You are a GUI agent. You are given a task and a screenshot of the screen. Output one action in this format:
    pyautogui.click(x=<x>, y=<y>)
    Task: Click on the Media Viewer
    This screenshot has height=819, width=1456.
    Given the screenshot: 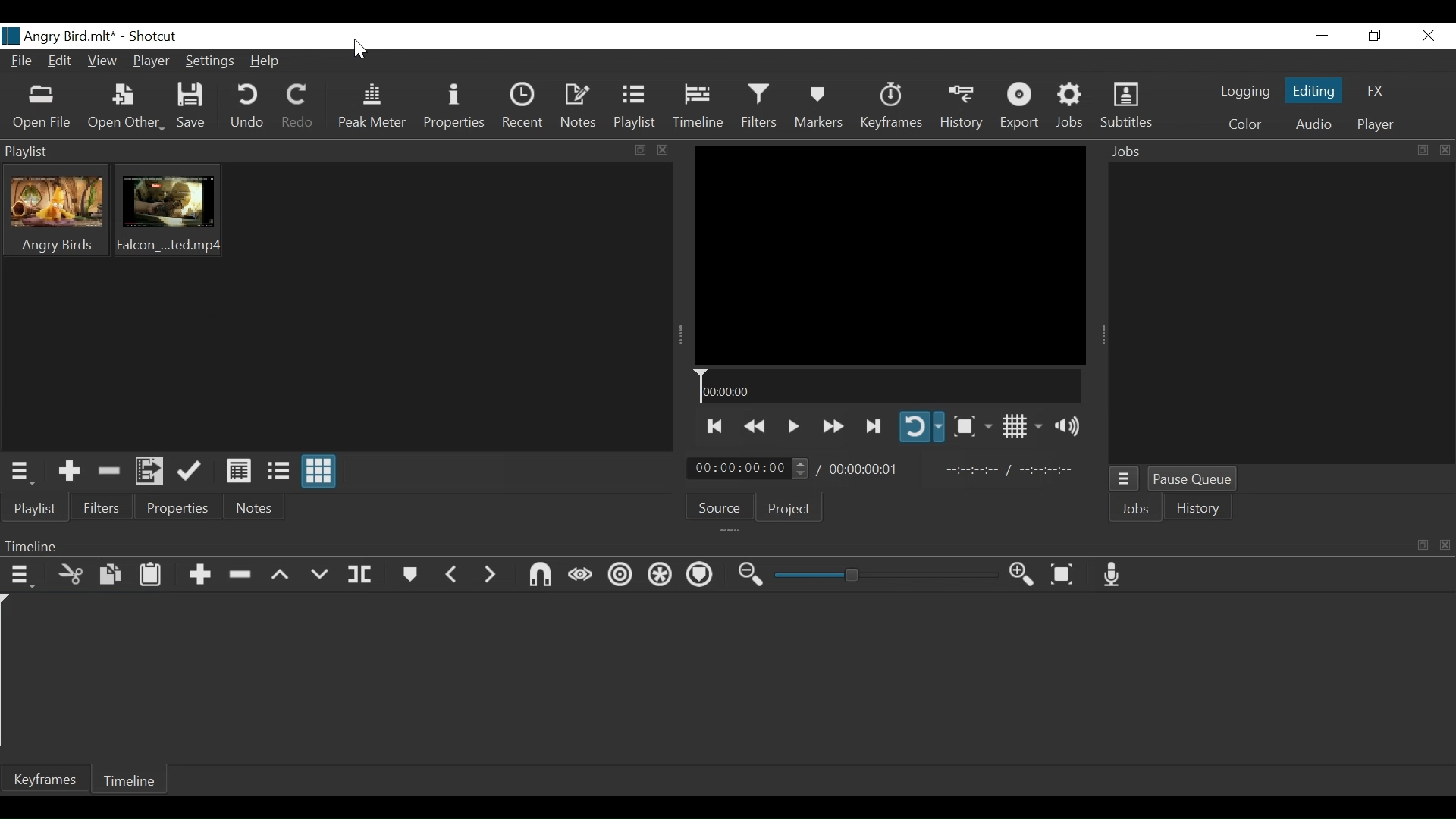 What is the action you would take?
    pyautogui.click(x=890, y=255)
    